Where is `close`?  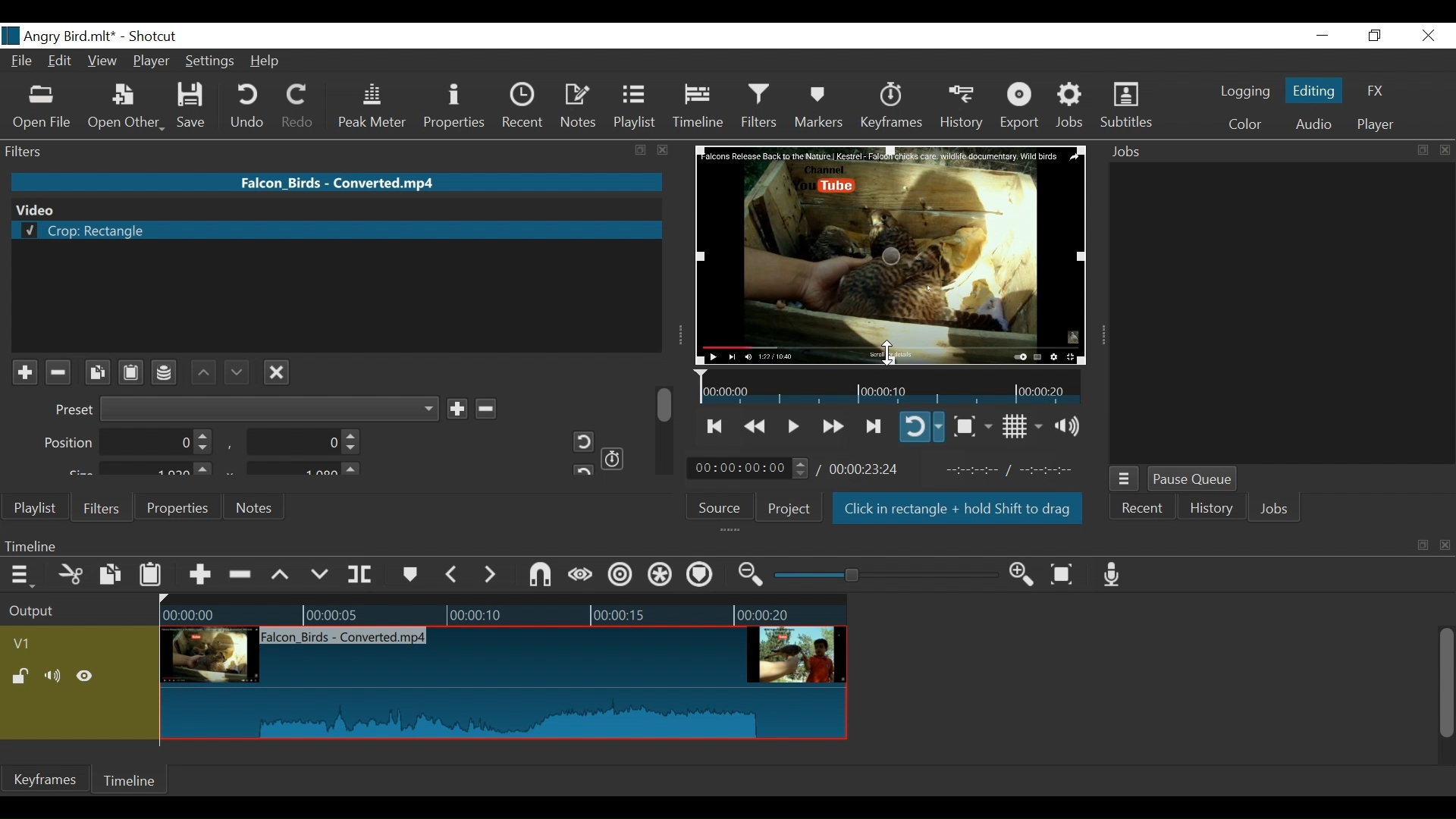 close is located at coordinates (1447, 546).